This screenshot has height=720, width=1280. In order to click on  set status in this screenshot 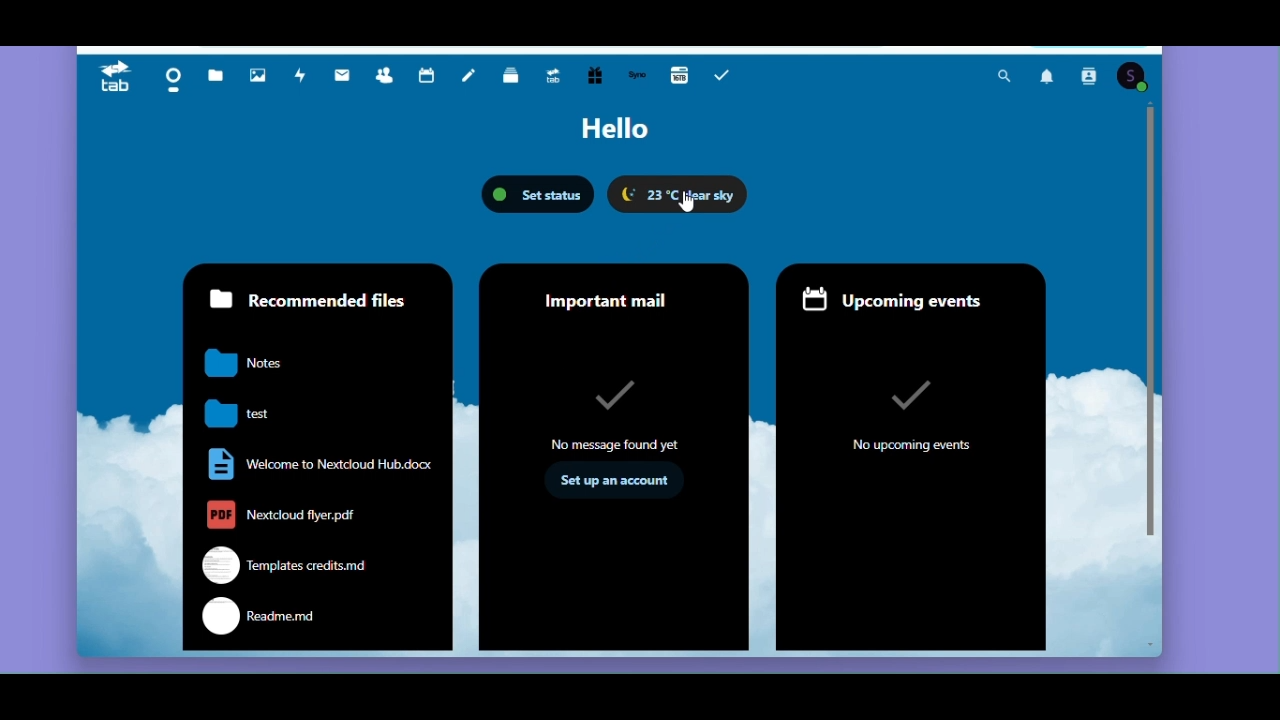, I will do `click(539, 194)`.